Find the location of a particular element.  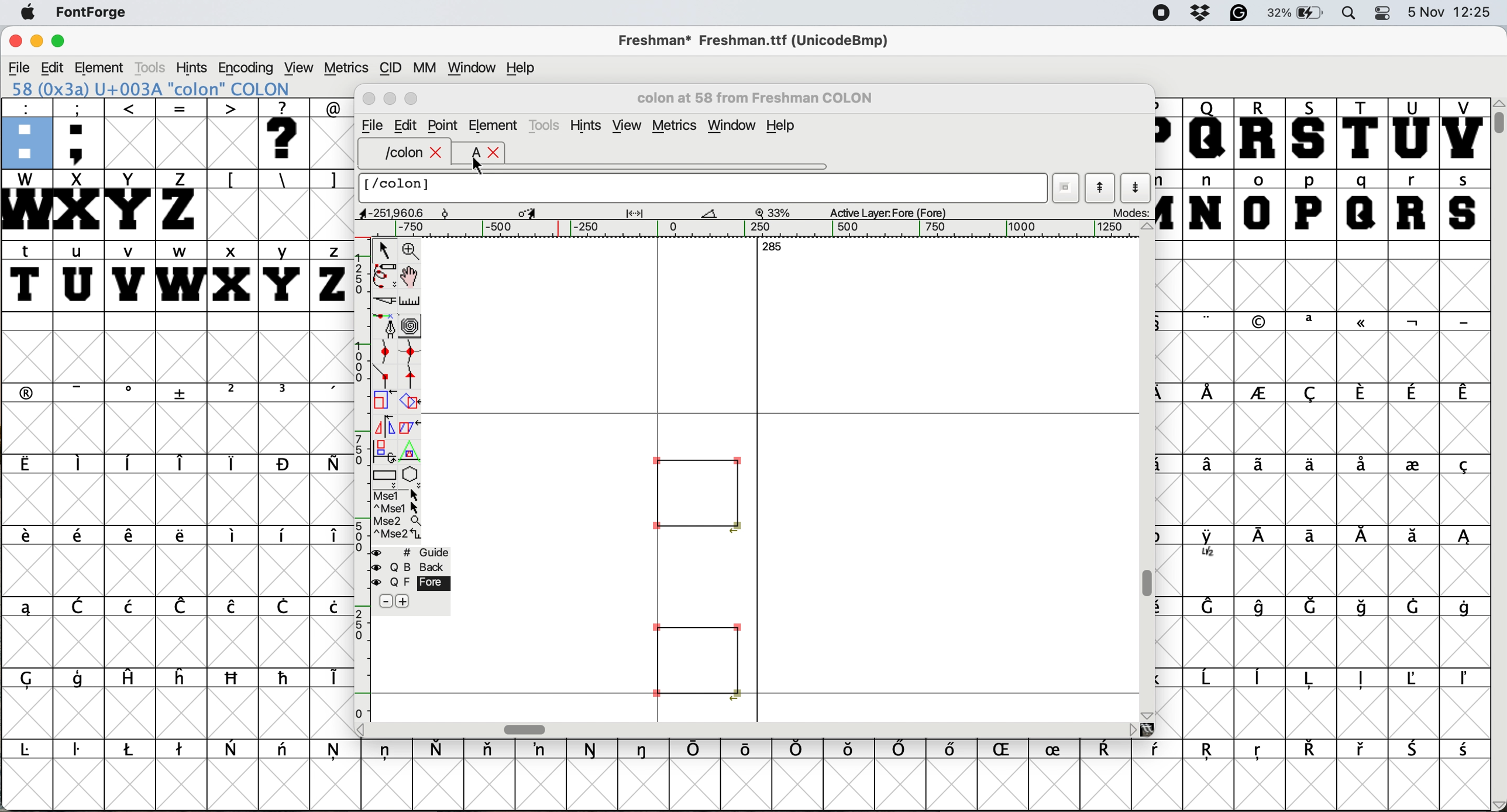

horizontal scale is located at coordinates (761, 229).